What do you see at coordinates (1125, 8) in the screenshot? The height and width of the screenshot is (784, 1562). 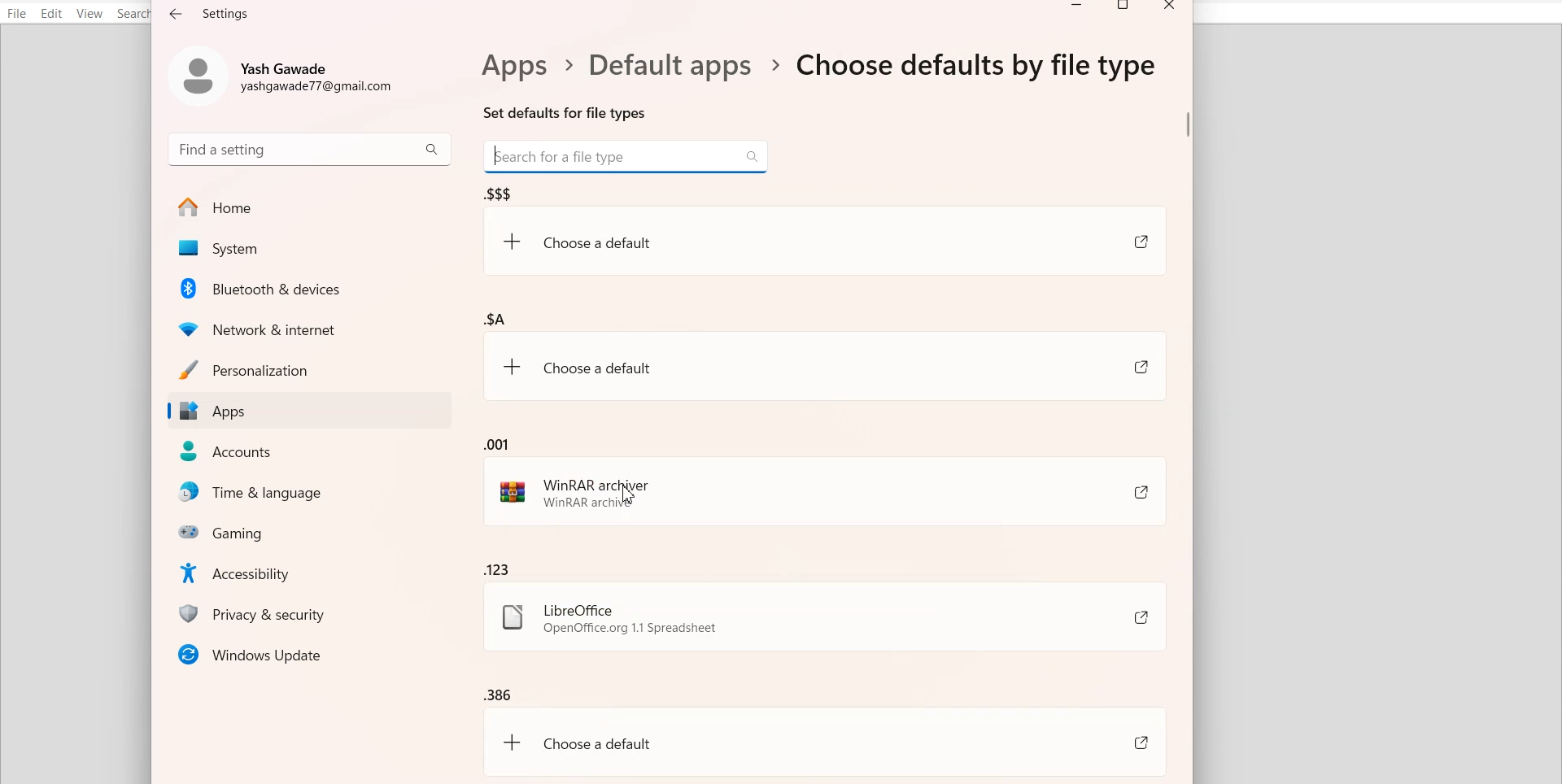 I see `Maximize` at bounding box center [1125, 8].